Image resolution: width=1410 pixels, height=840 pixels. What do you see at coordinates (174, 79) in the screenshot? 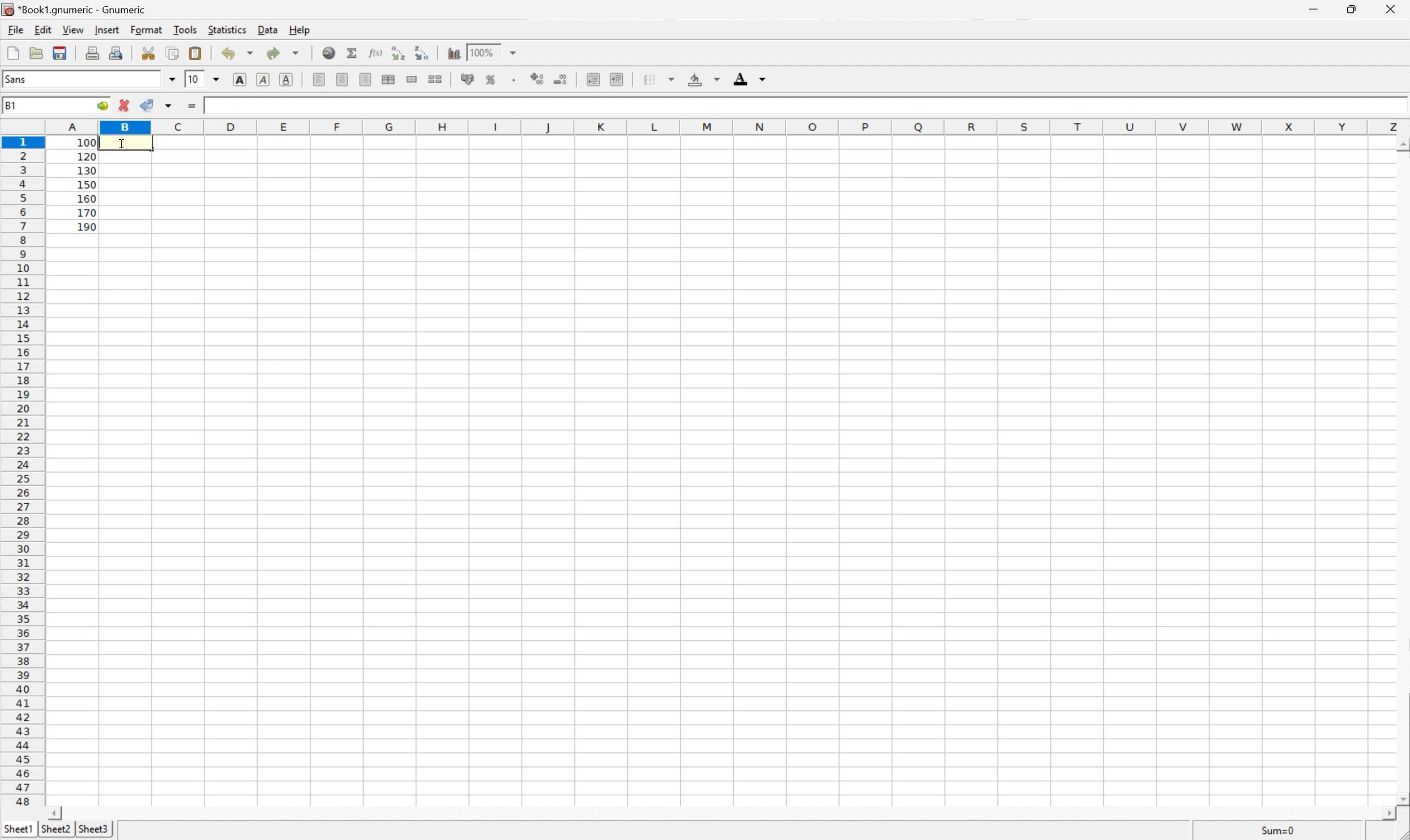
I see `Drop Down` at bounding box center [174, 79].